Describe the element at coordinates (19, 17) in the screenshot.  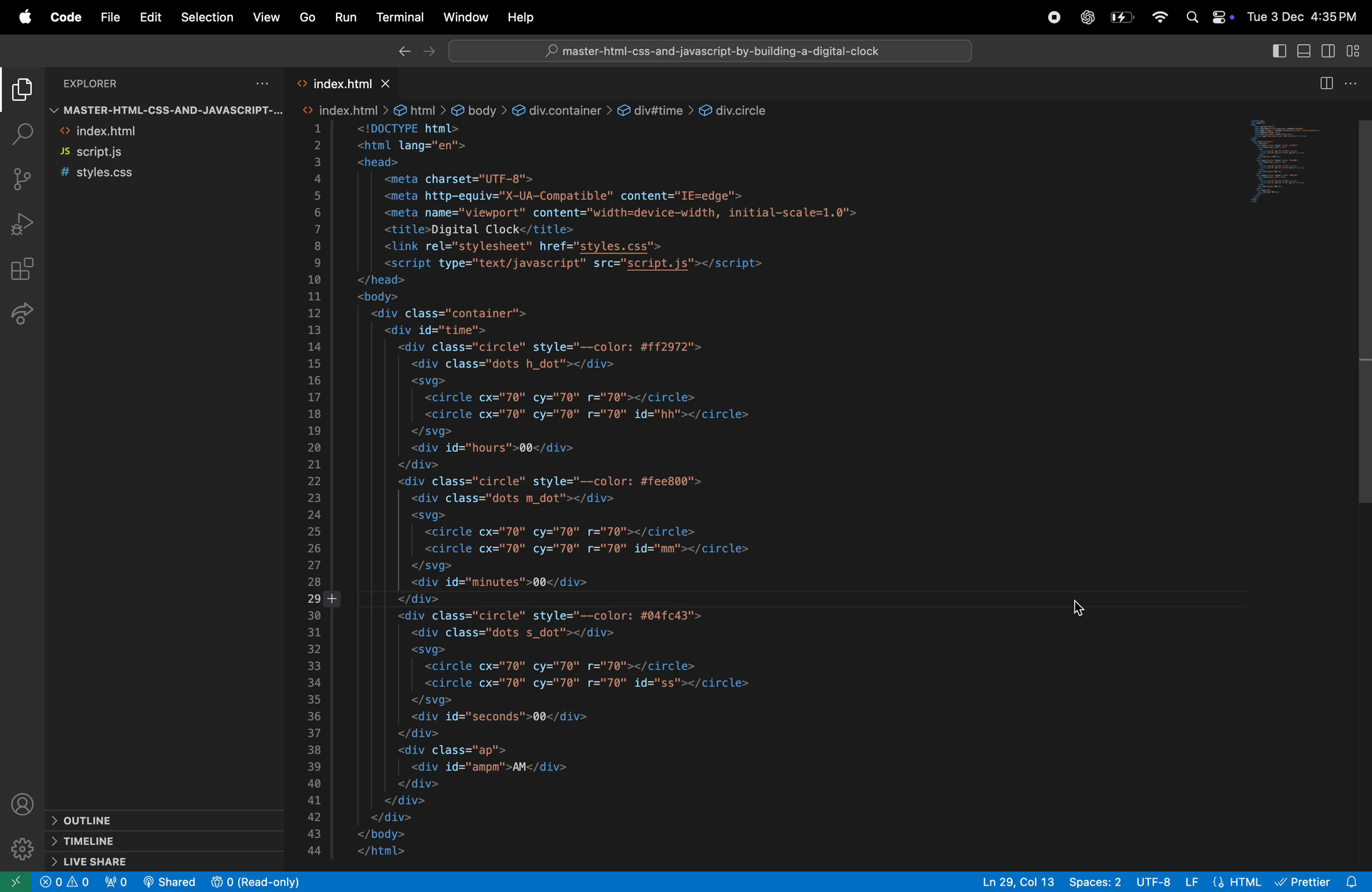
I see `apple menu` at that location.